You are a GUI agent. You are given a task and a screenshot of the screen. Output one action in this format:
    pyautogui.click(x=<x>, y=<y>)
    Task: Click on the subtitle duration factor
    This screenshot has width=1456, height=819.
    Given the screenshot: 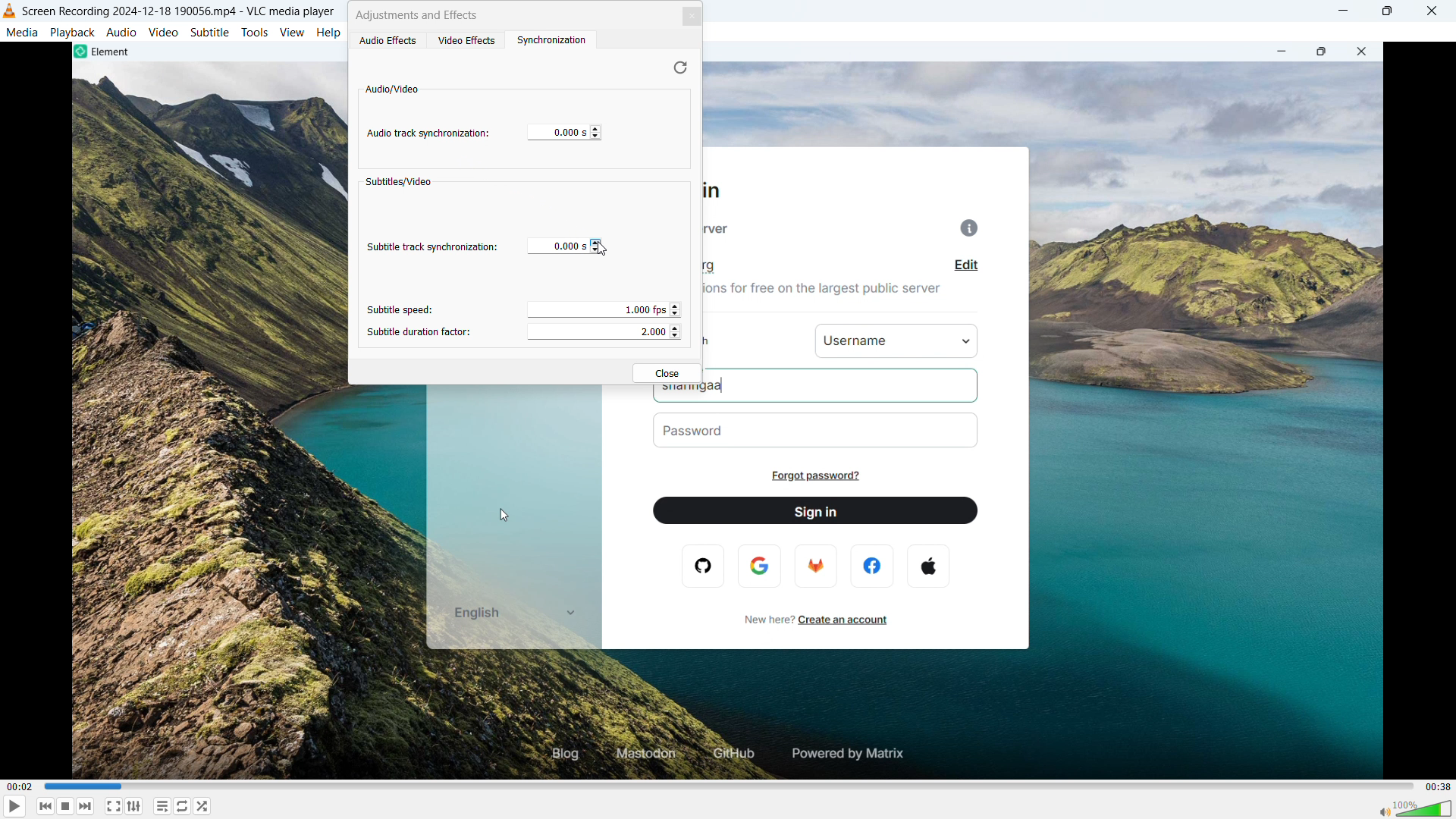 What is the action you would take?
    pyautogui.click(x=421, y=332)
    